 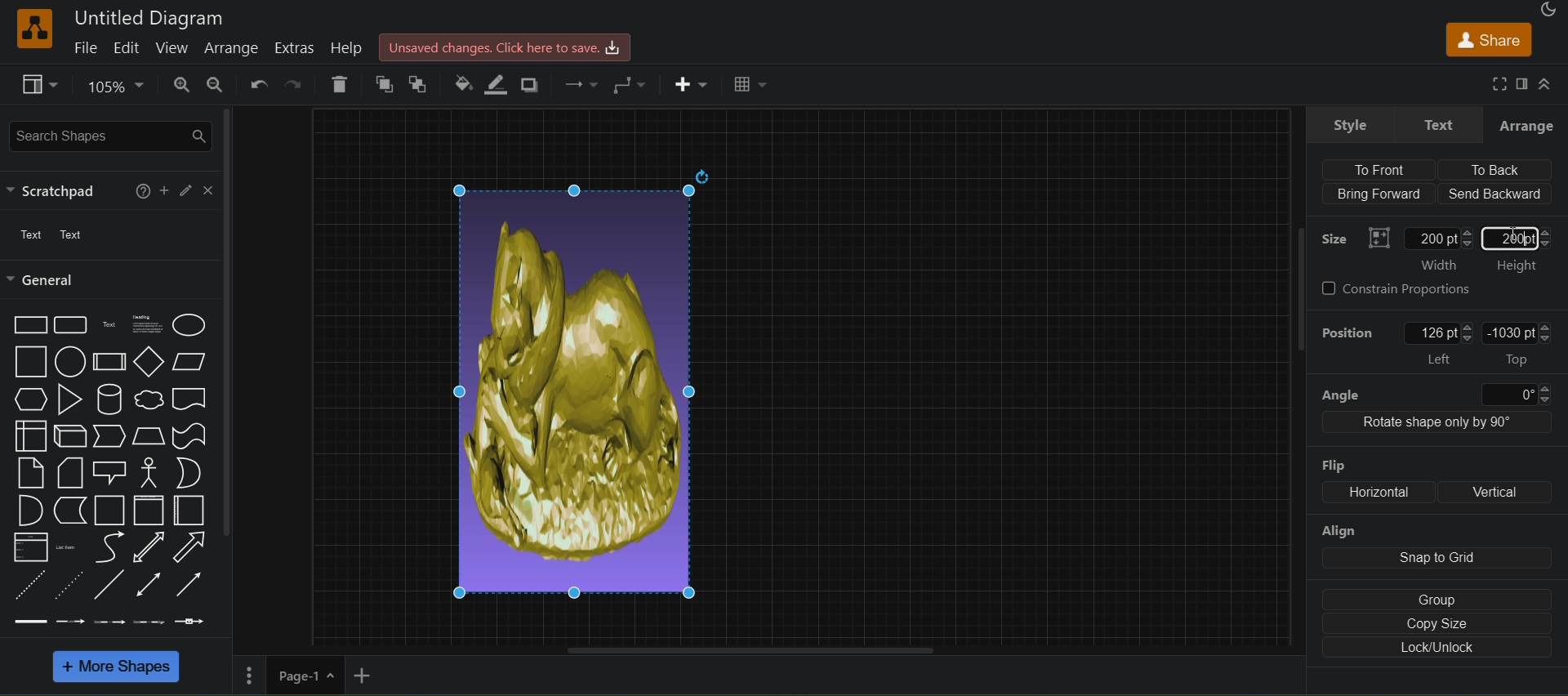 What do you see at coordinates (1499, 84) in the screenshot?
I see `fullscreen` at bounding box center [1499, 84].